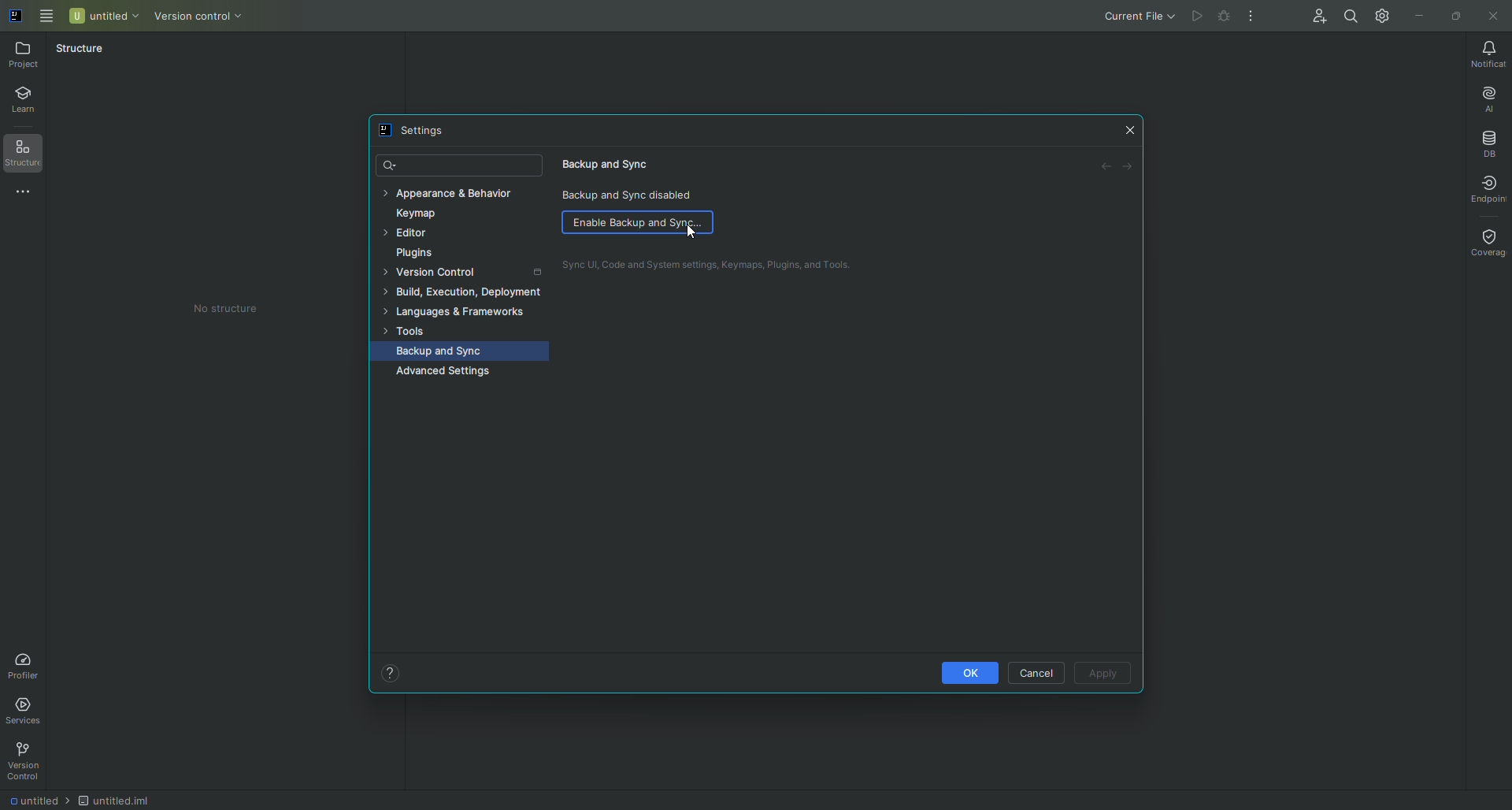 The height and width of the screenshot is (810, 1512). Describe the element at coordinates (18, 13) in the screenshot. I see `` at that location.